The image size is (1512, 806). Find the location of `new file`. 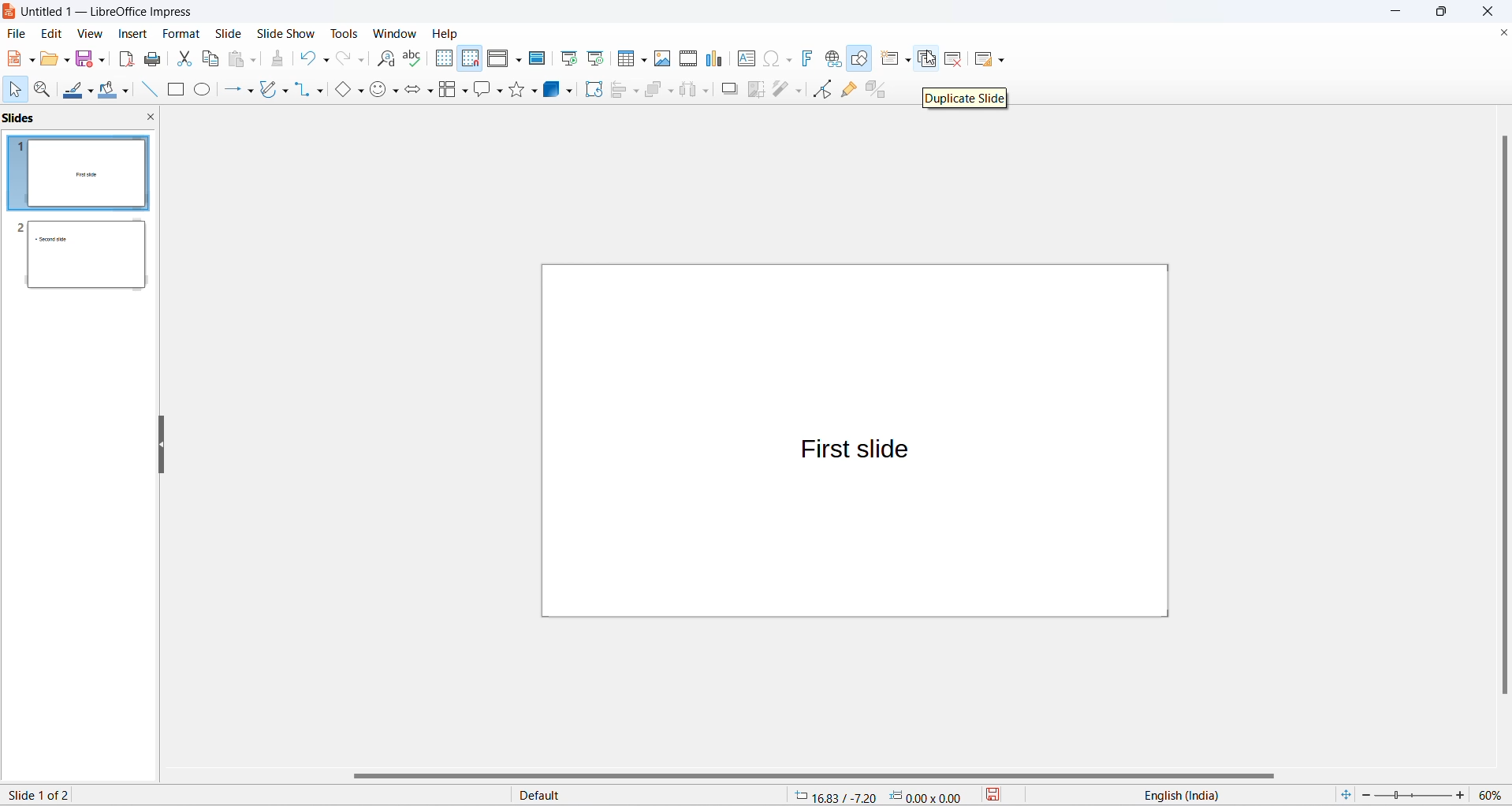

new file is located at coordinates (12, 58).